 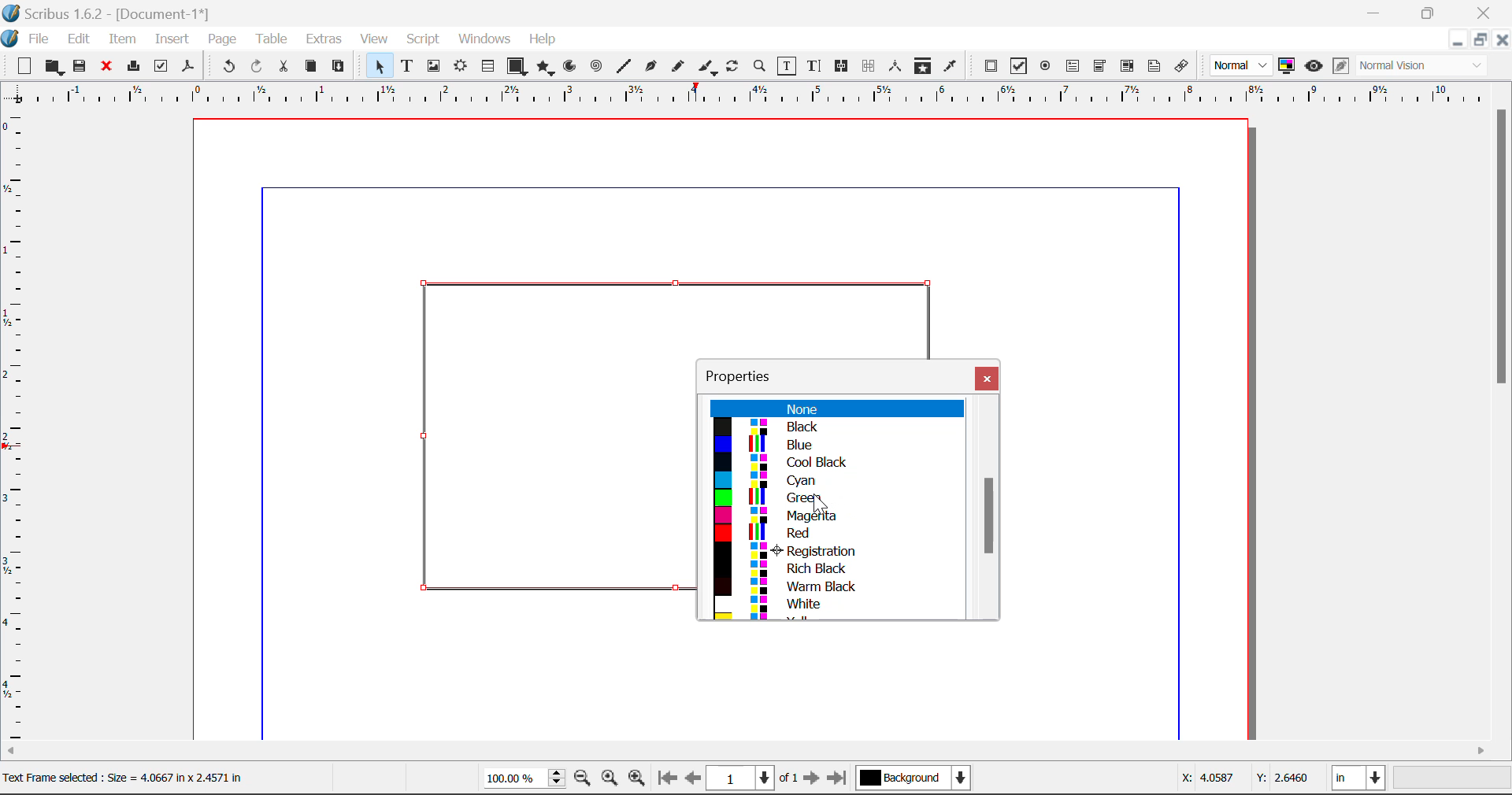 I want to click on Minimize, so click(x=1431, y=12).